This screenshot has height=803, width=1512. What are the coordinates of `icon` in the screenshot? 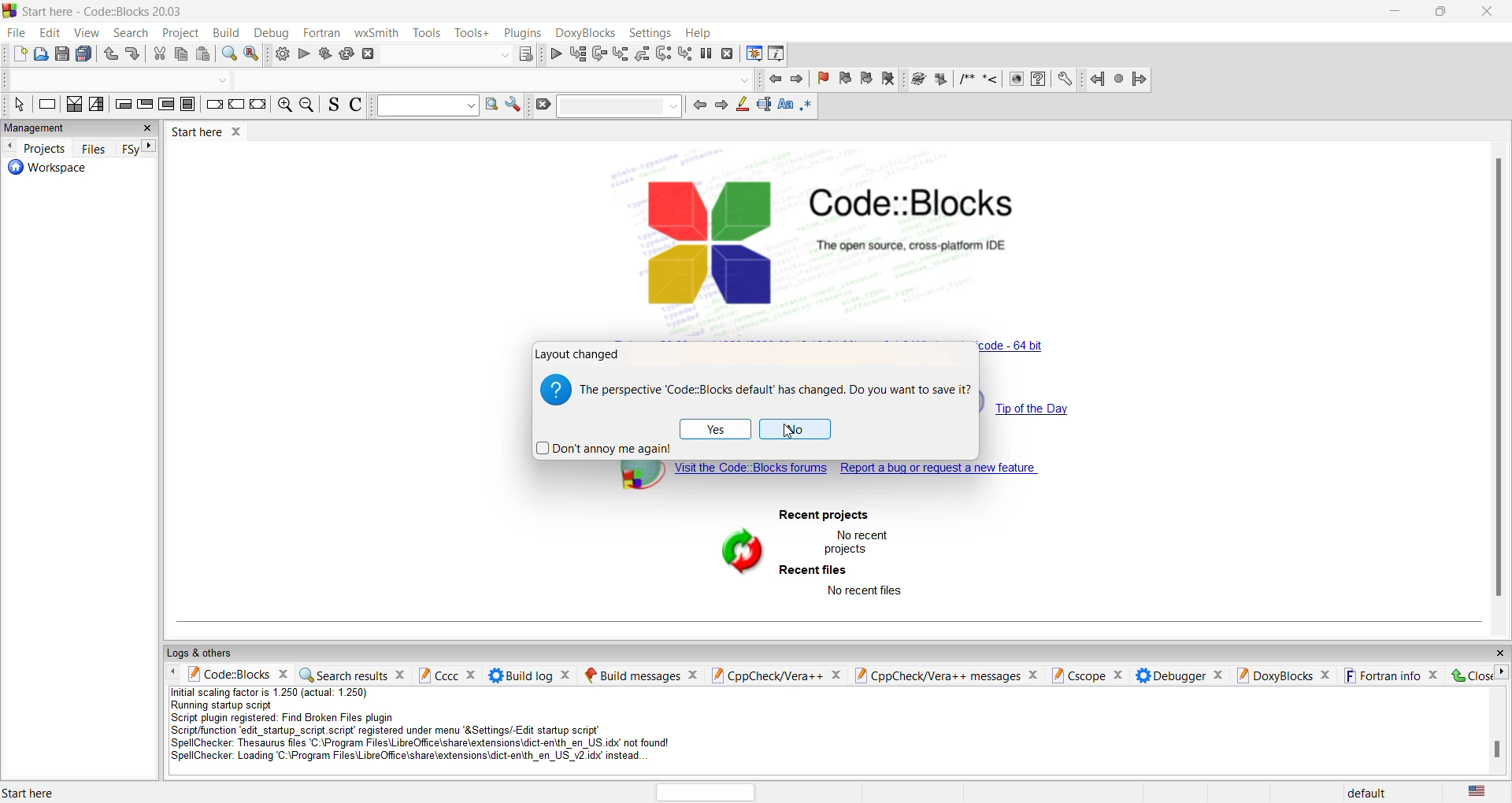 It's located at (919, 80).